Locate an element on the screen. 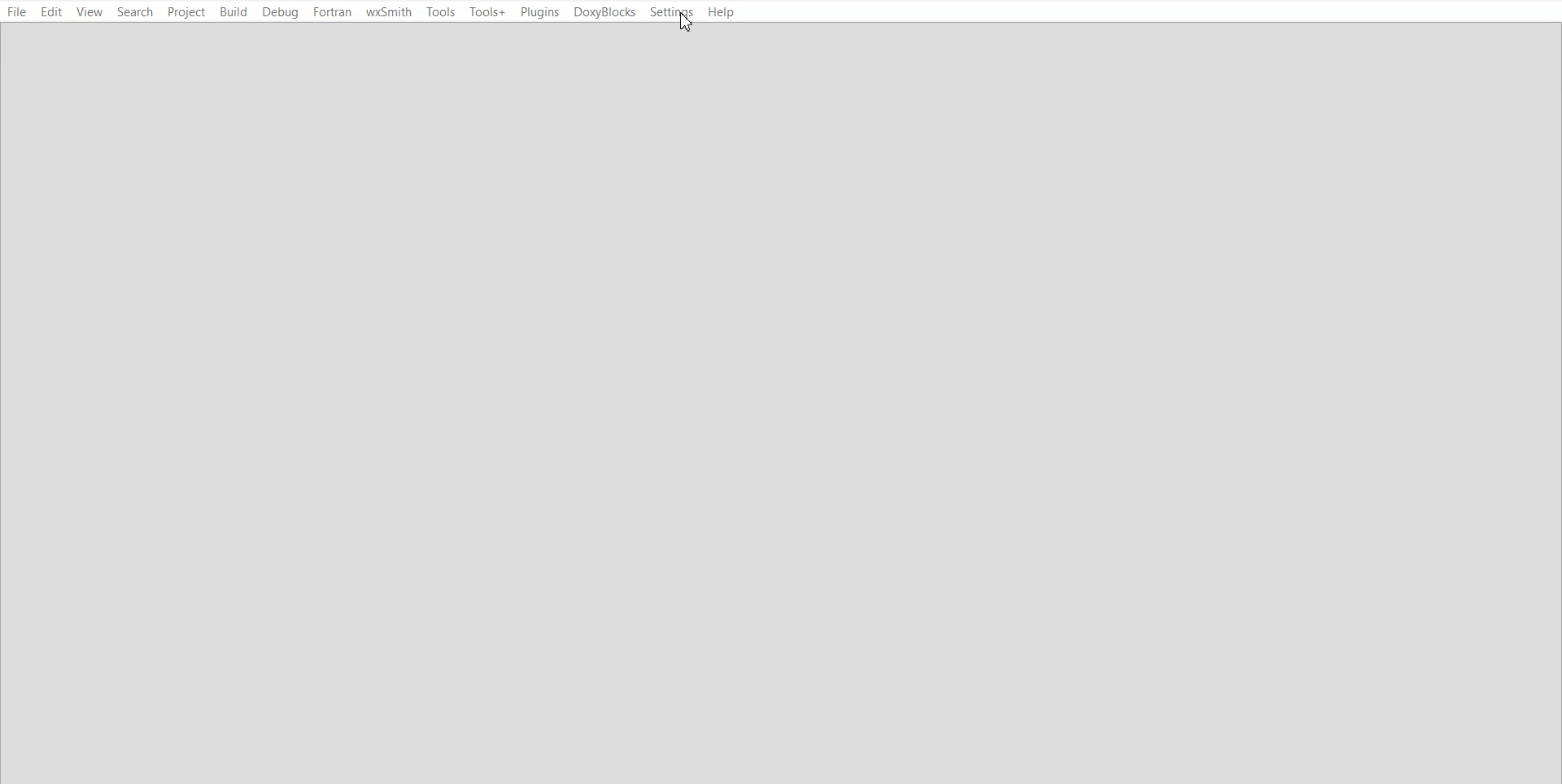 The height and width of the screenshot is (784, 1562). View is located at coordinates (89, 13).